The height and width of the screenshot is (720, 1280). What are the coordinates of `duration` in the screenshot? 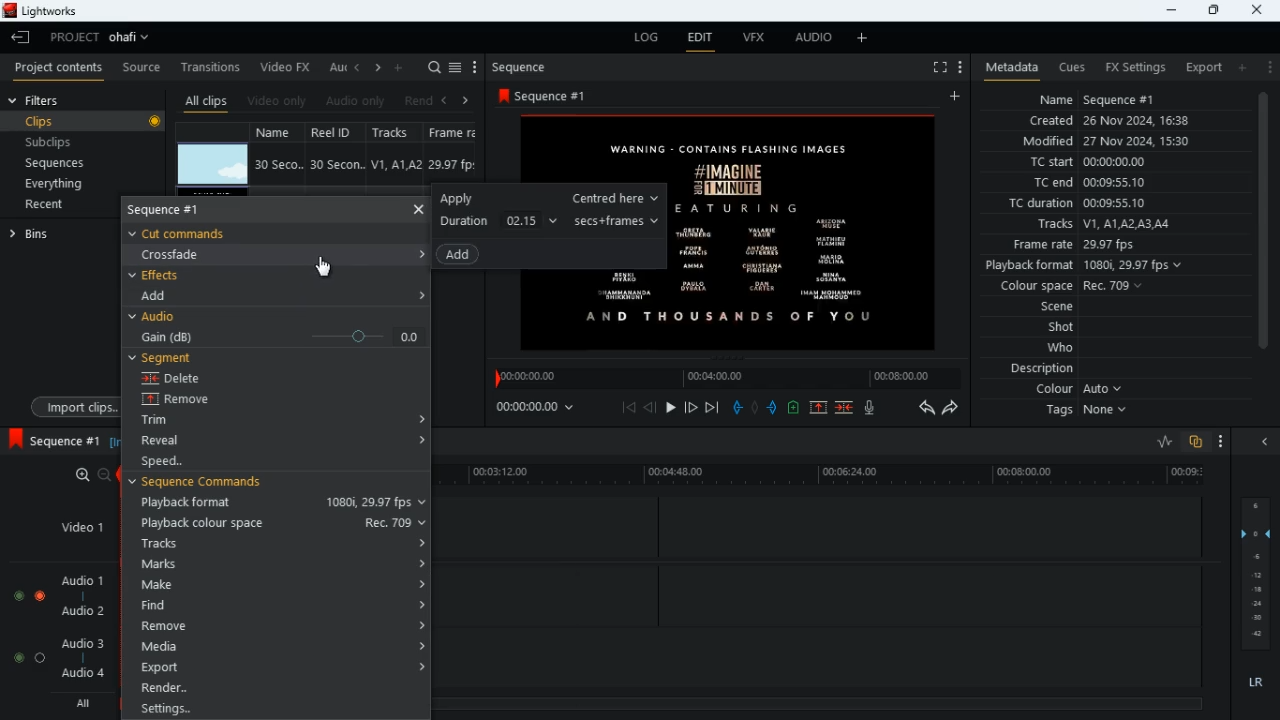 It's located at (502, 219).